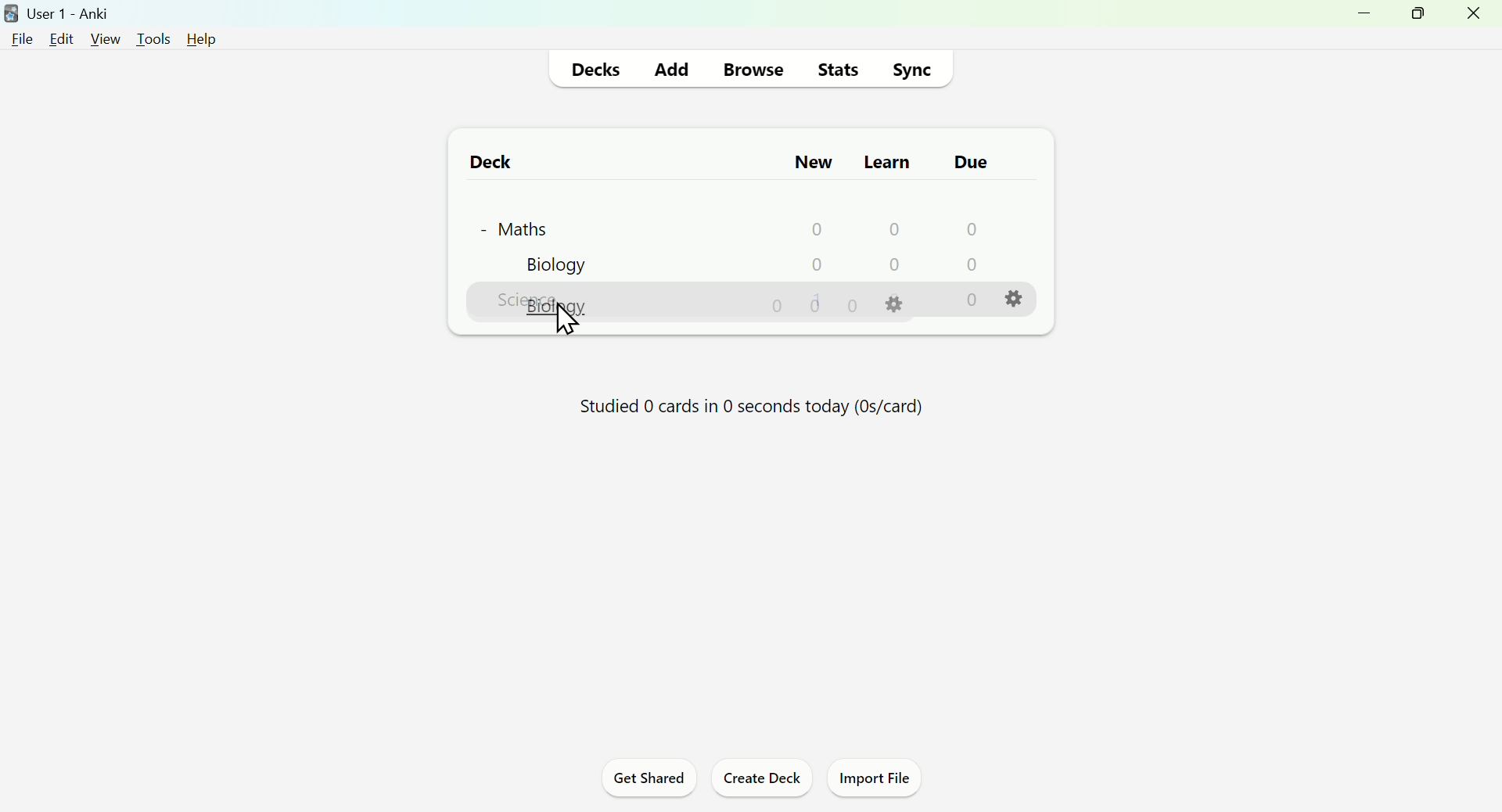  Describe the element at coordinates (148, 35) in the screenshot. I see `Tools` at that location.